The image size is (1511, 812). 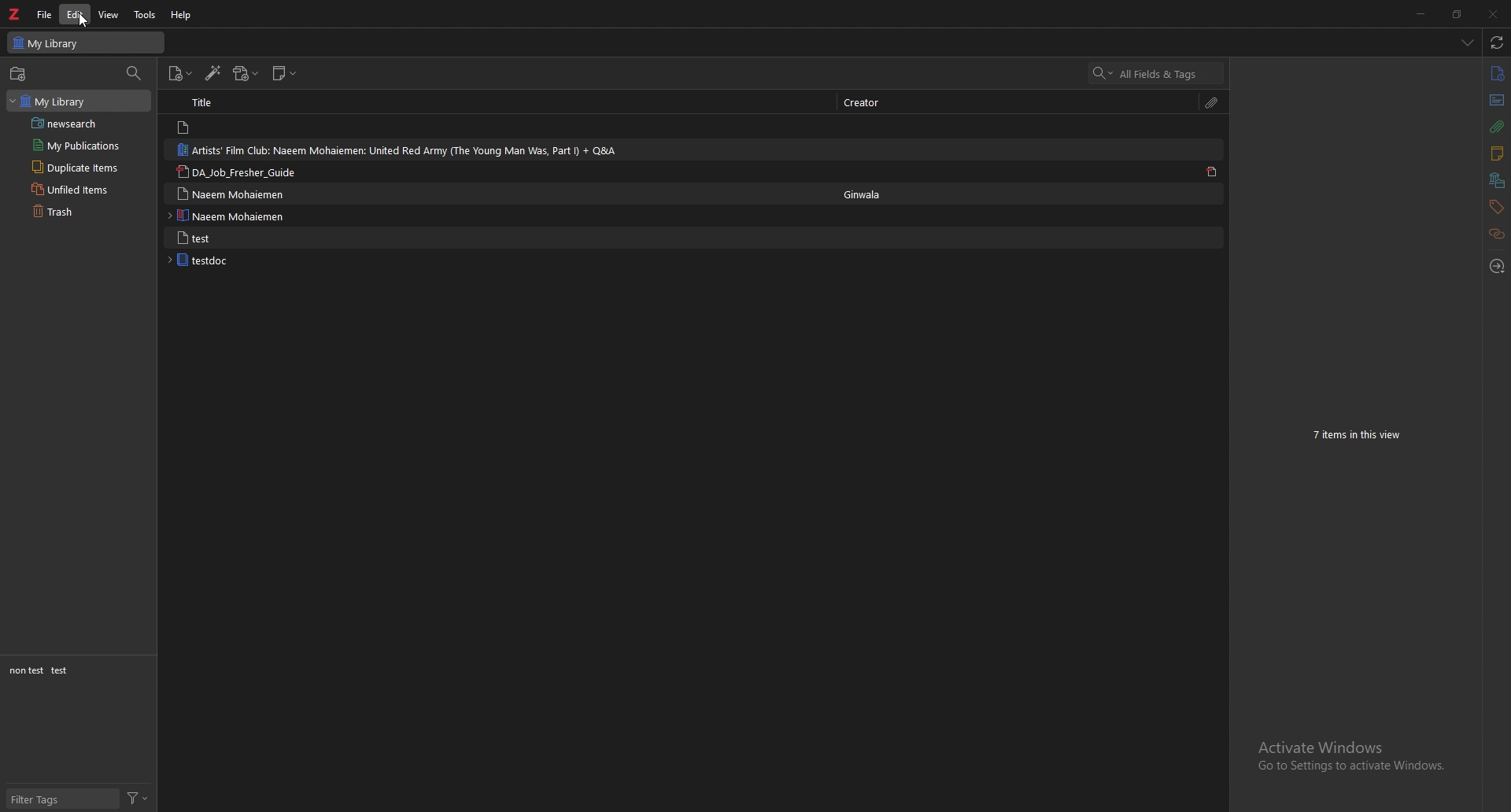 What do you see at coordinates (1496, 73) in the screenshot?
I see `info` at bounding box center [1496, 73].